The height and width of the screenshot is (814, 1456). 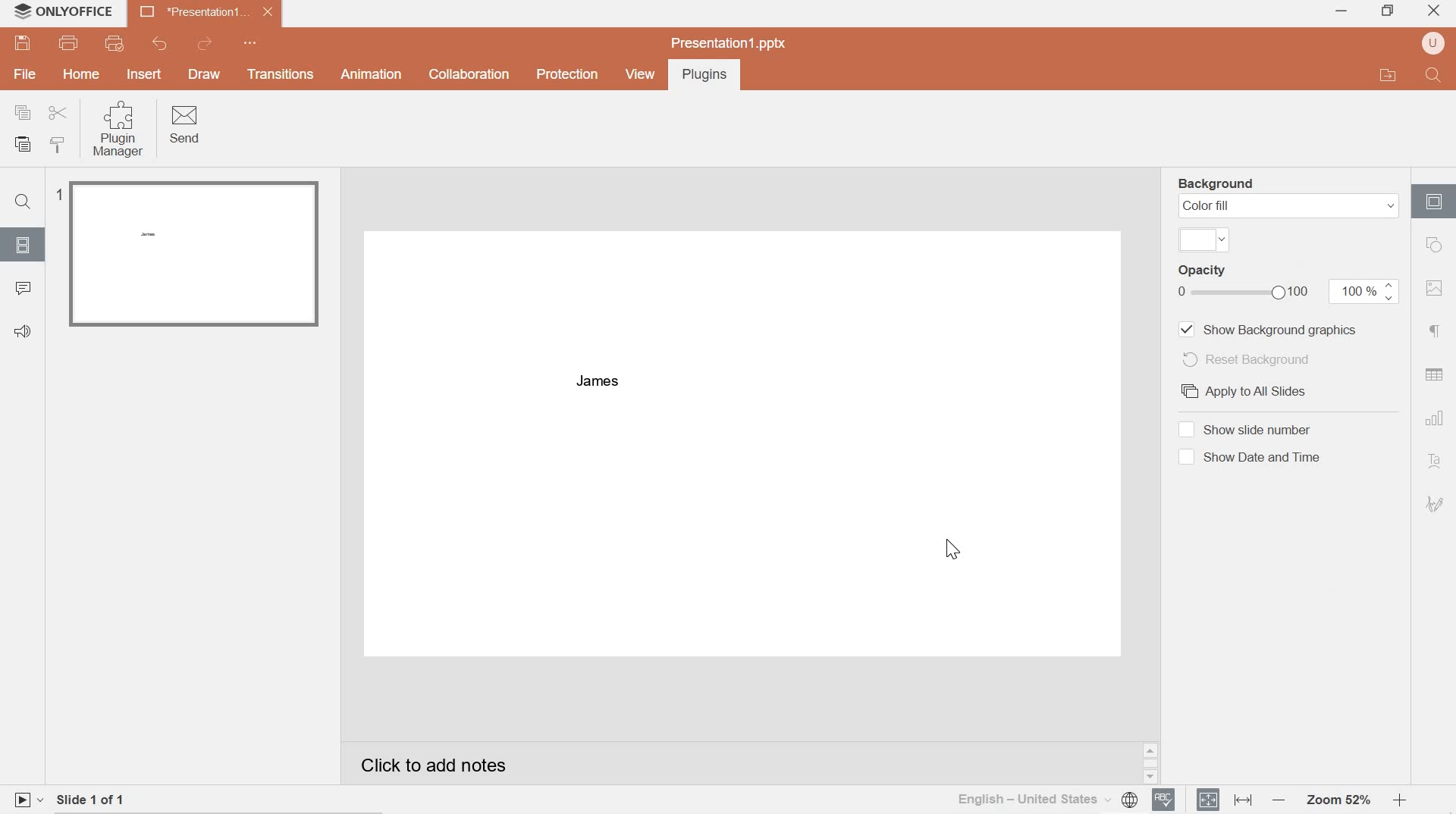 What do you see at coordinates (1434, 202) in the screenshot?
I see `slide settings` at bounding box center [1434, 202].